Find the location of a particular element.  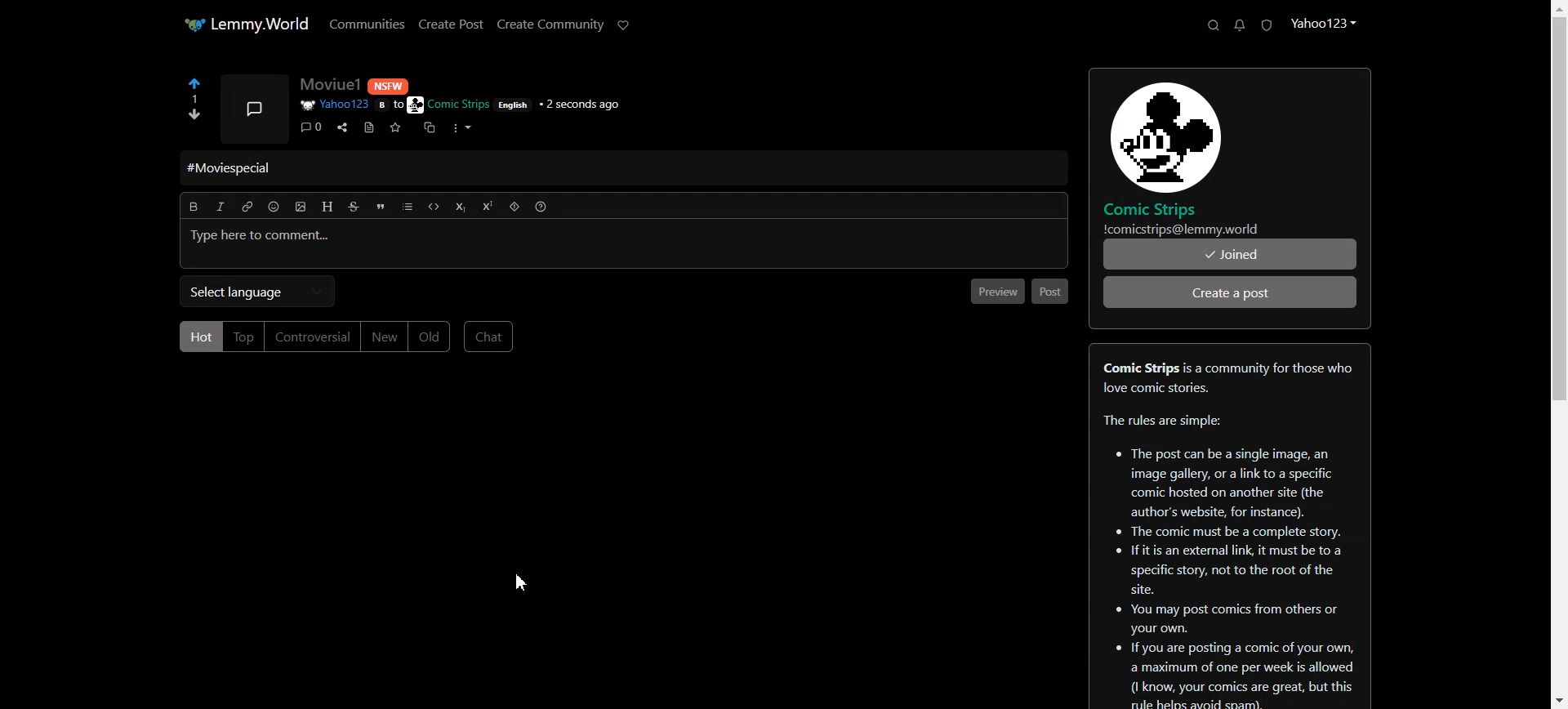

Text is located at coordinates (237, 167).